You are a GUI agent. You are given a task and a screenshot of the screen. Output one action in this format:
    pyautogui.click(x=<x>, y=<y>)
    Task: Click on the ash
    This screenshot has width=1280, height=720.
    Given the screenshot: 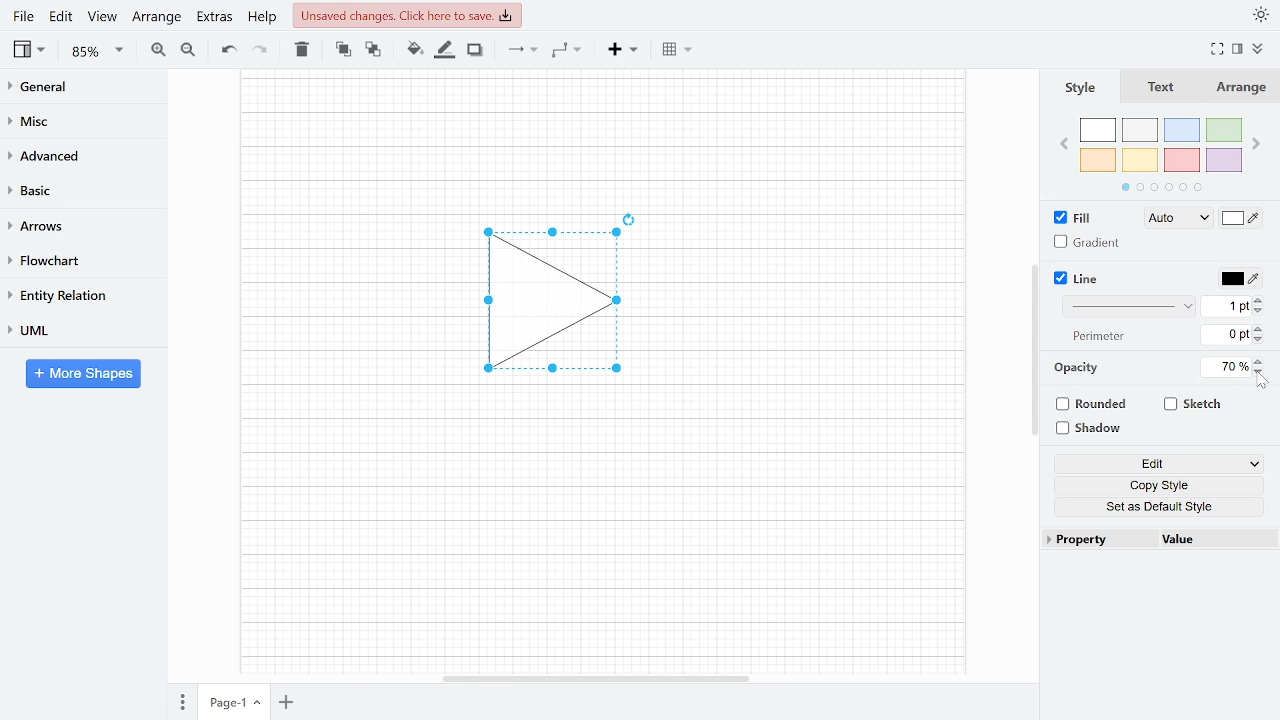 What is the action you would take?
    pyautogui.click(x=1142, y=131)
    